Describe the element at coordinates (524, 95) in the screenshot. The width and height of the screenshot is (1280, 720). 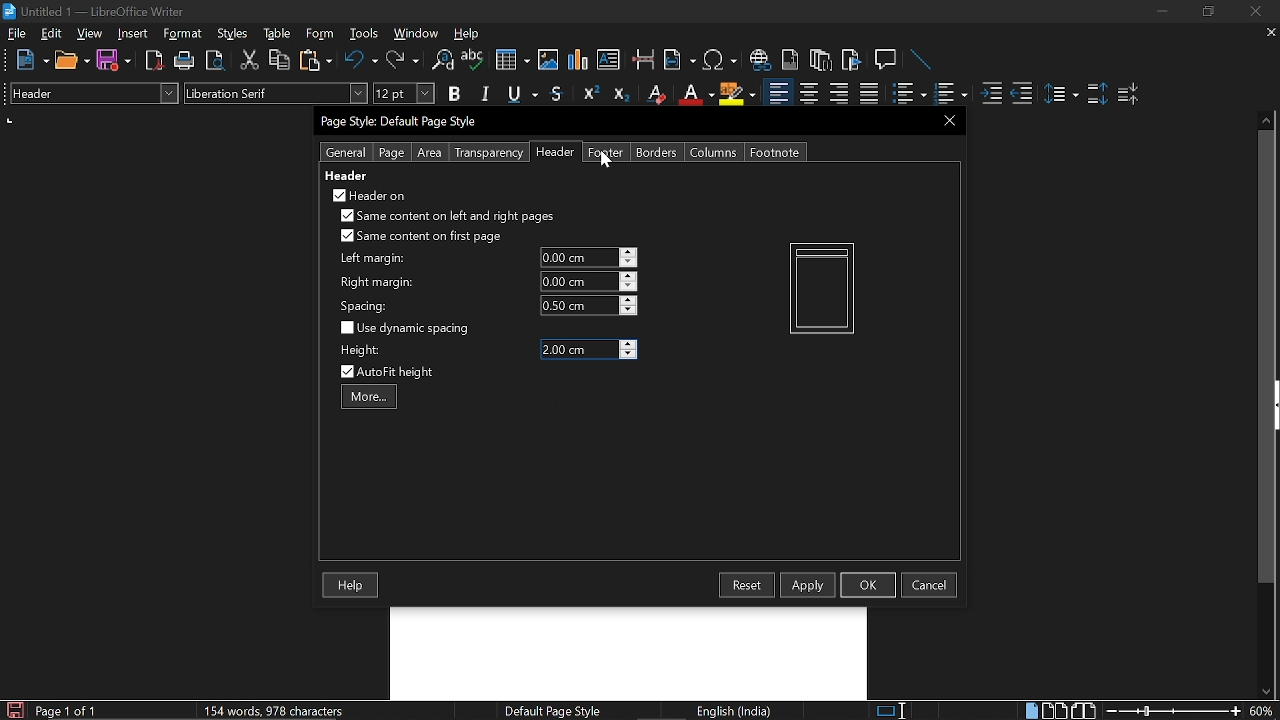
I see `Underline` at that location.